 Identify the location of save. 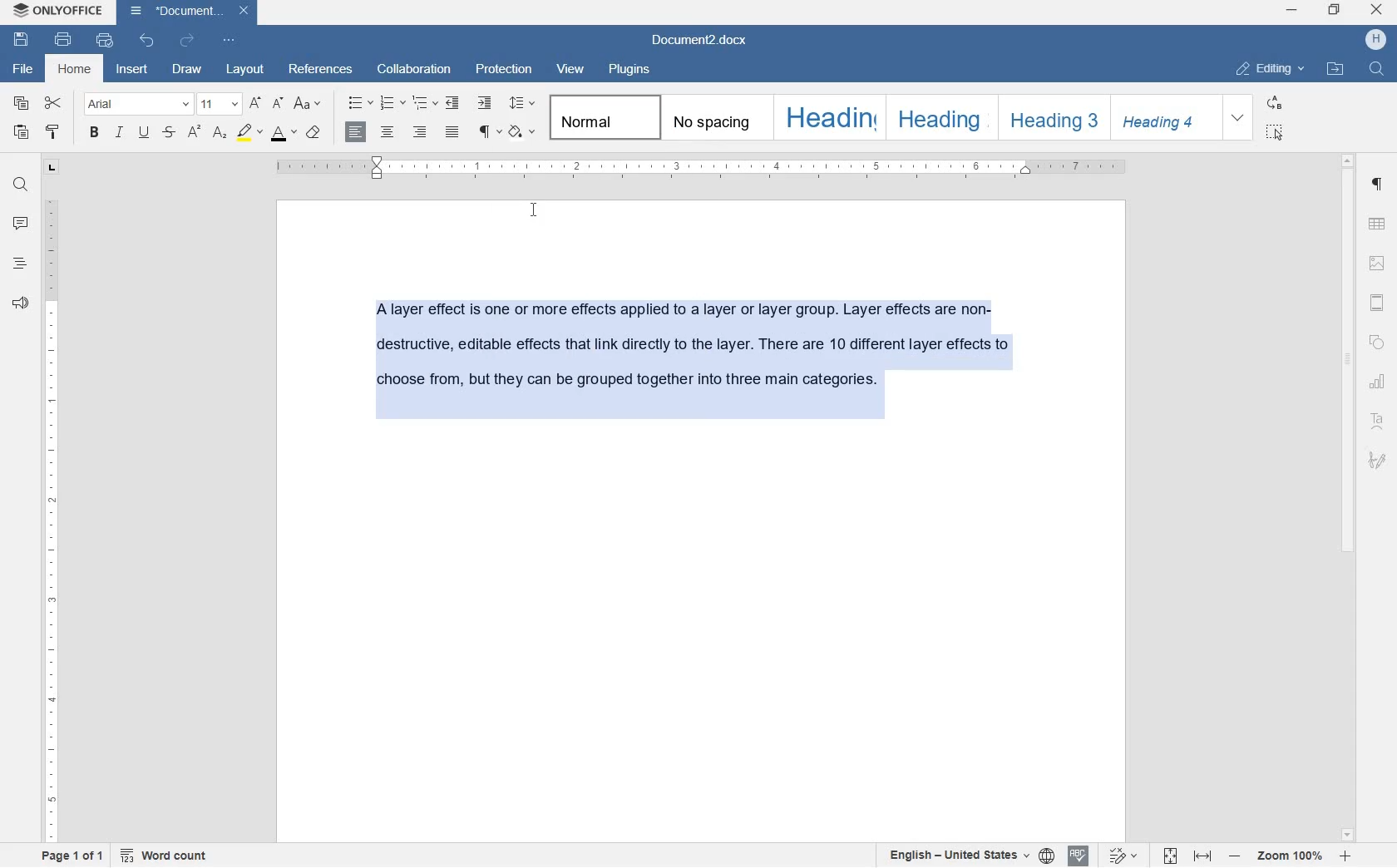
(22, 41).